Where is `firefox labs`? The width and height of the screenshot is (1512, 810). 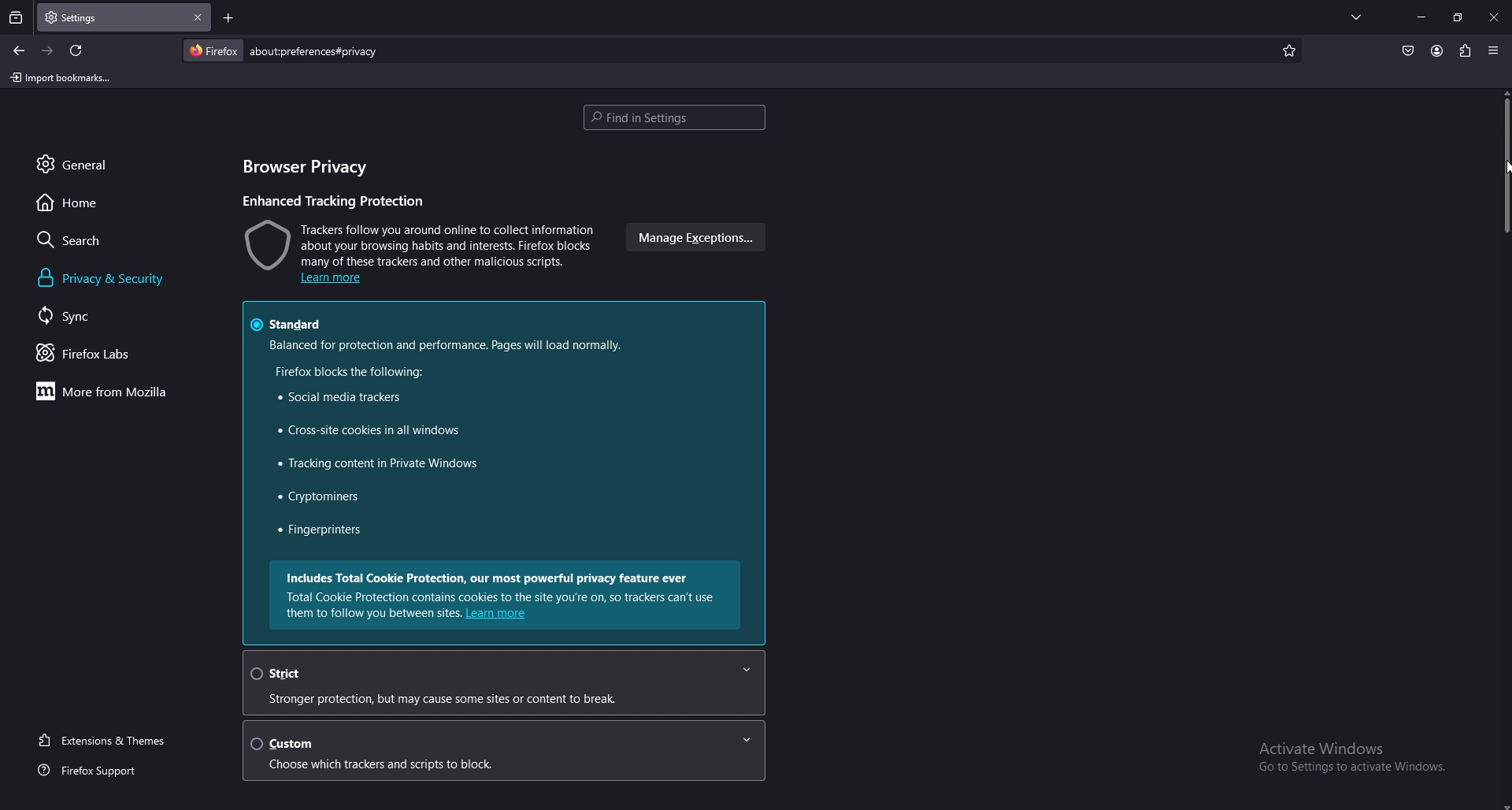
firefox labs is located at coordinates (100, 355).